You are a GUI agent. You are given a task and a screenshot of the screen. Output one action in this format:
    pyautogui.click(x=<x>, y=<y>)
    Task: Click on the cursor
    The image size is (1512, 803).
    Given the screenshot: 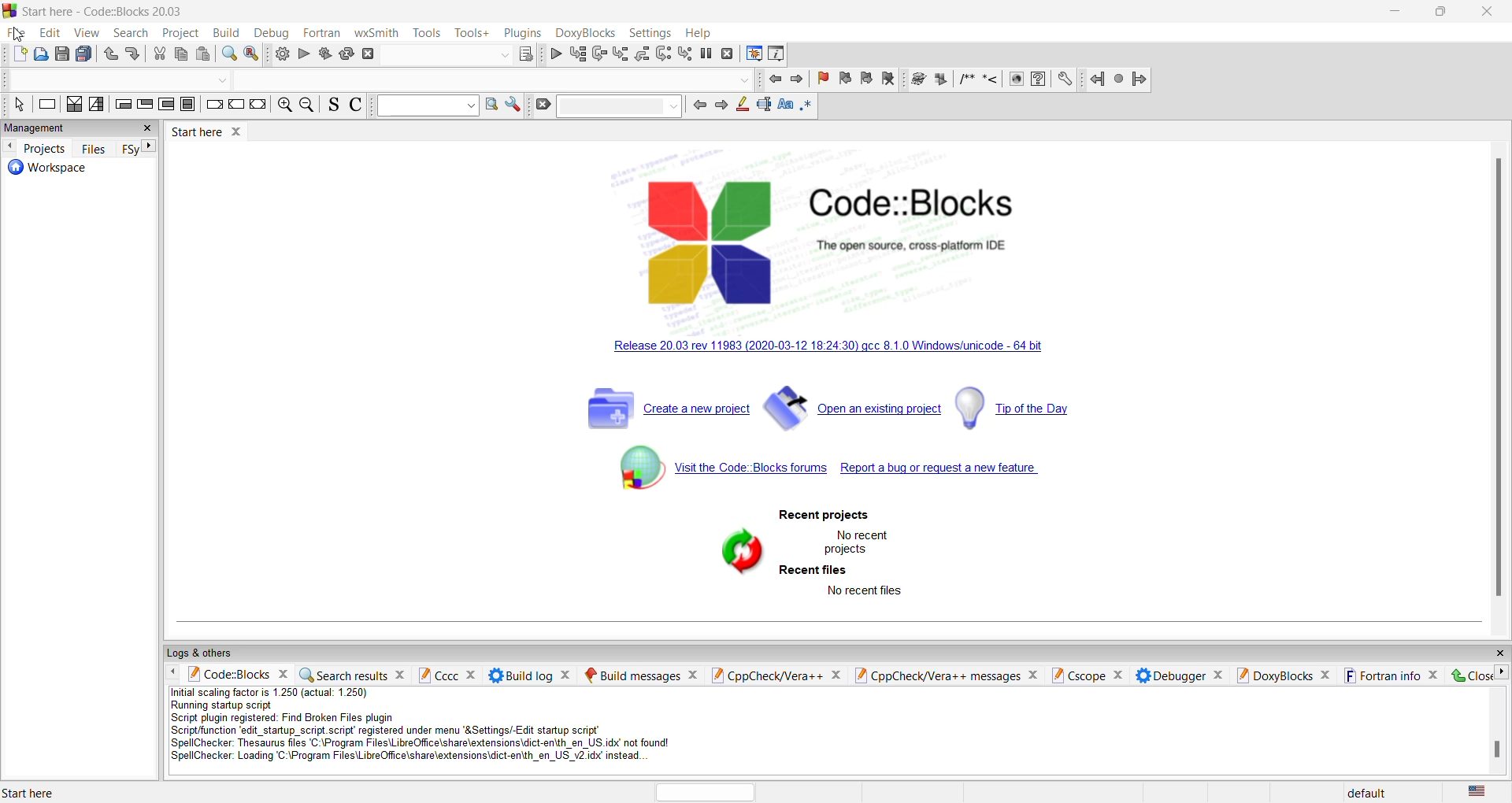 What is the action you would take?
    pyautogui.click(x=21, y=35)
    